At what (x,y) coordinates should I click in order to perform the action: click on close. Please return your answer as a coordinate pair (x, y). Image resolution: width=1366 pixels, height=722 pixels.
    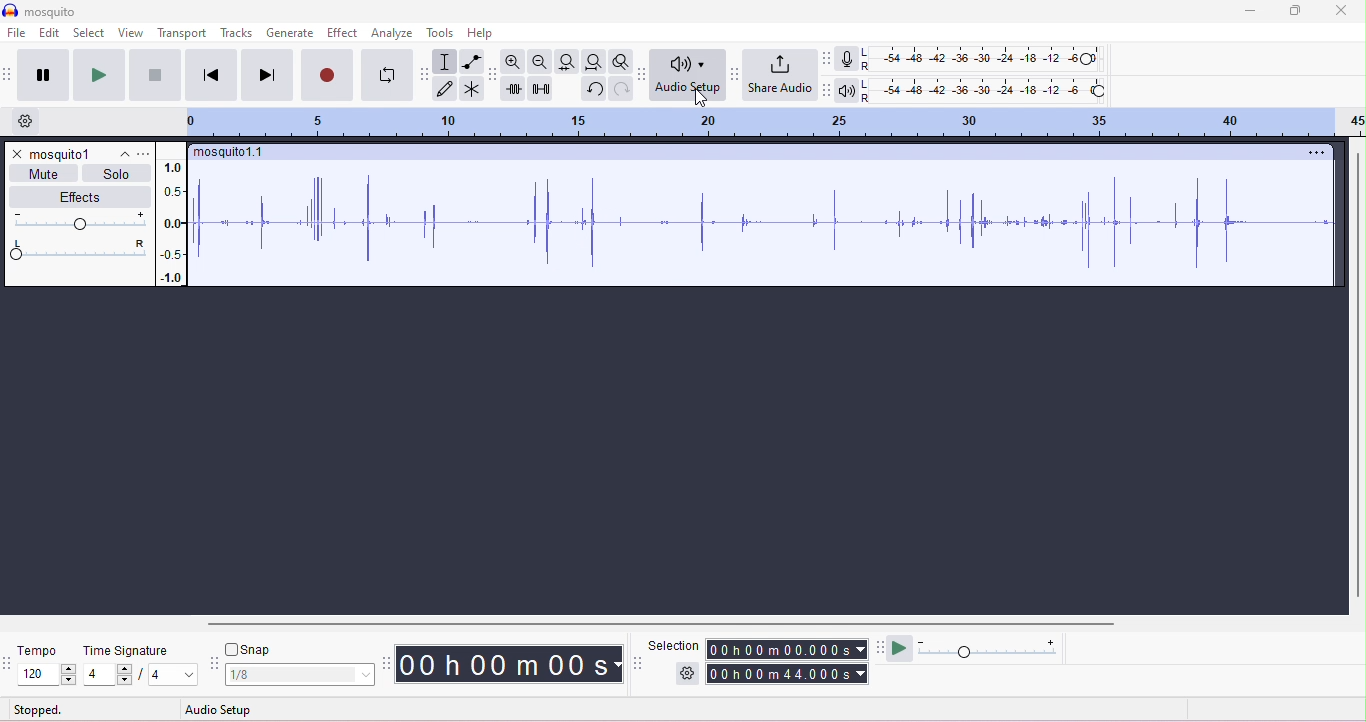
    Looking at the image, I should click on (16, 154).